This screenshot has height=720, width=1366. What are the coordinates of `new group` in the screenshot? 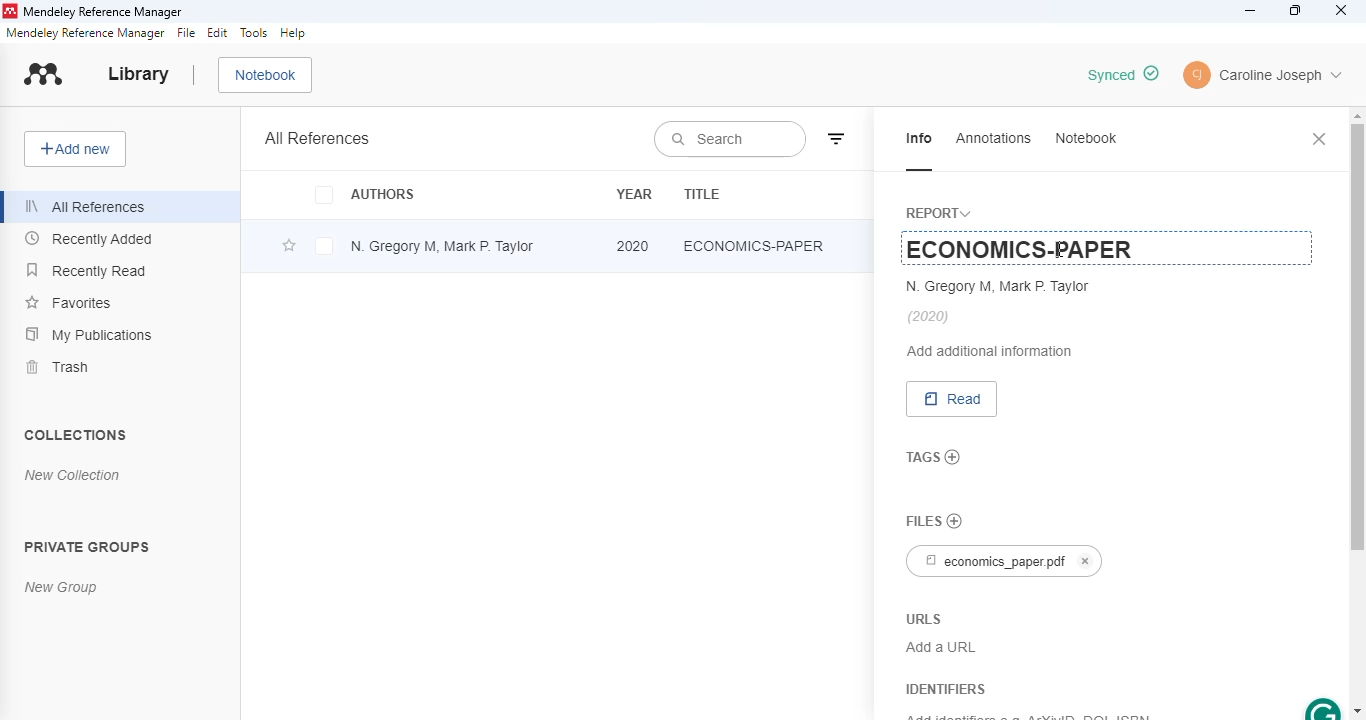 It's located at (61, 586).